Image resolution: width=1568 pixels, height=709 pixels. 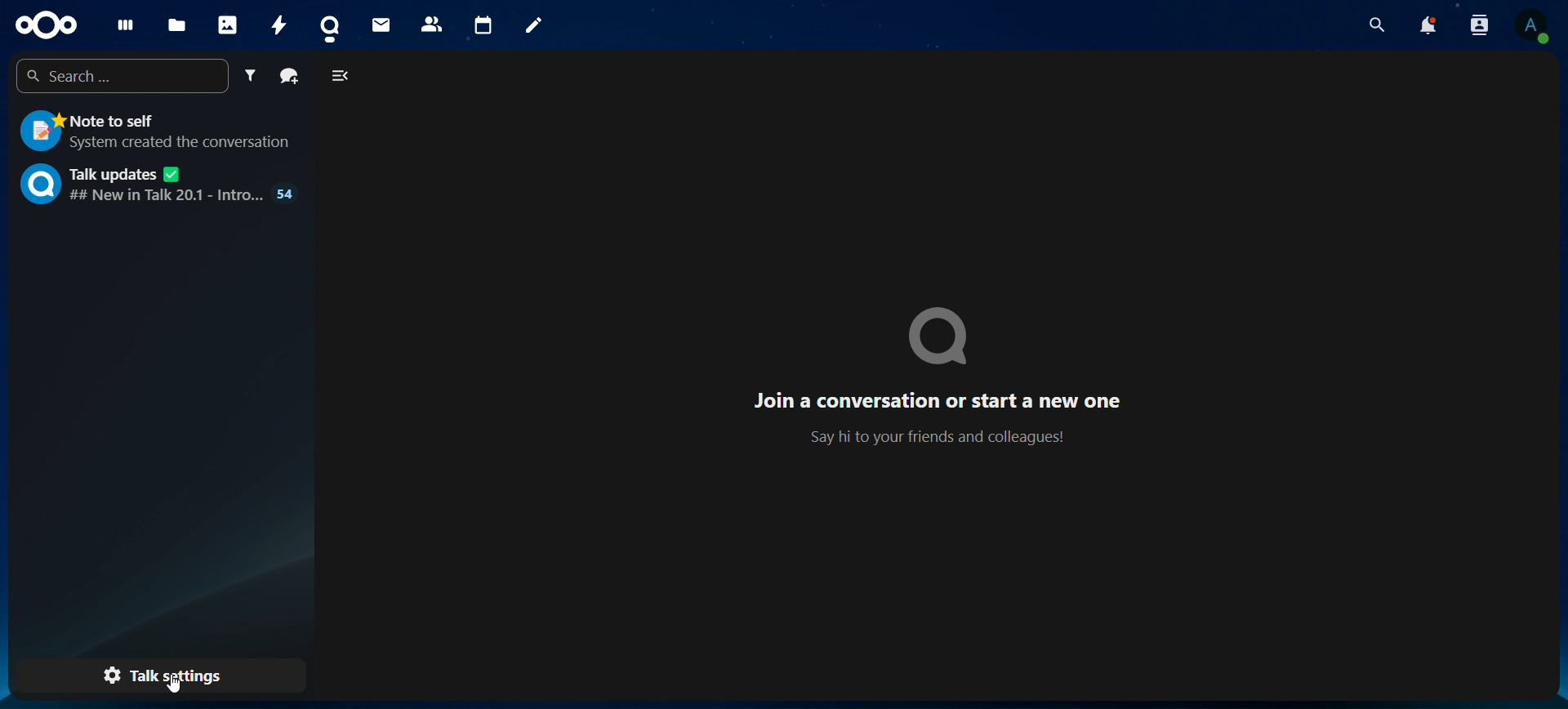 What do you see at coordinates (121, 21) in the screenshot?
I see `dashboard` at bounding box center [121, 21].